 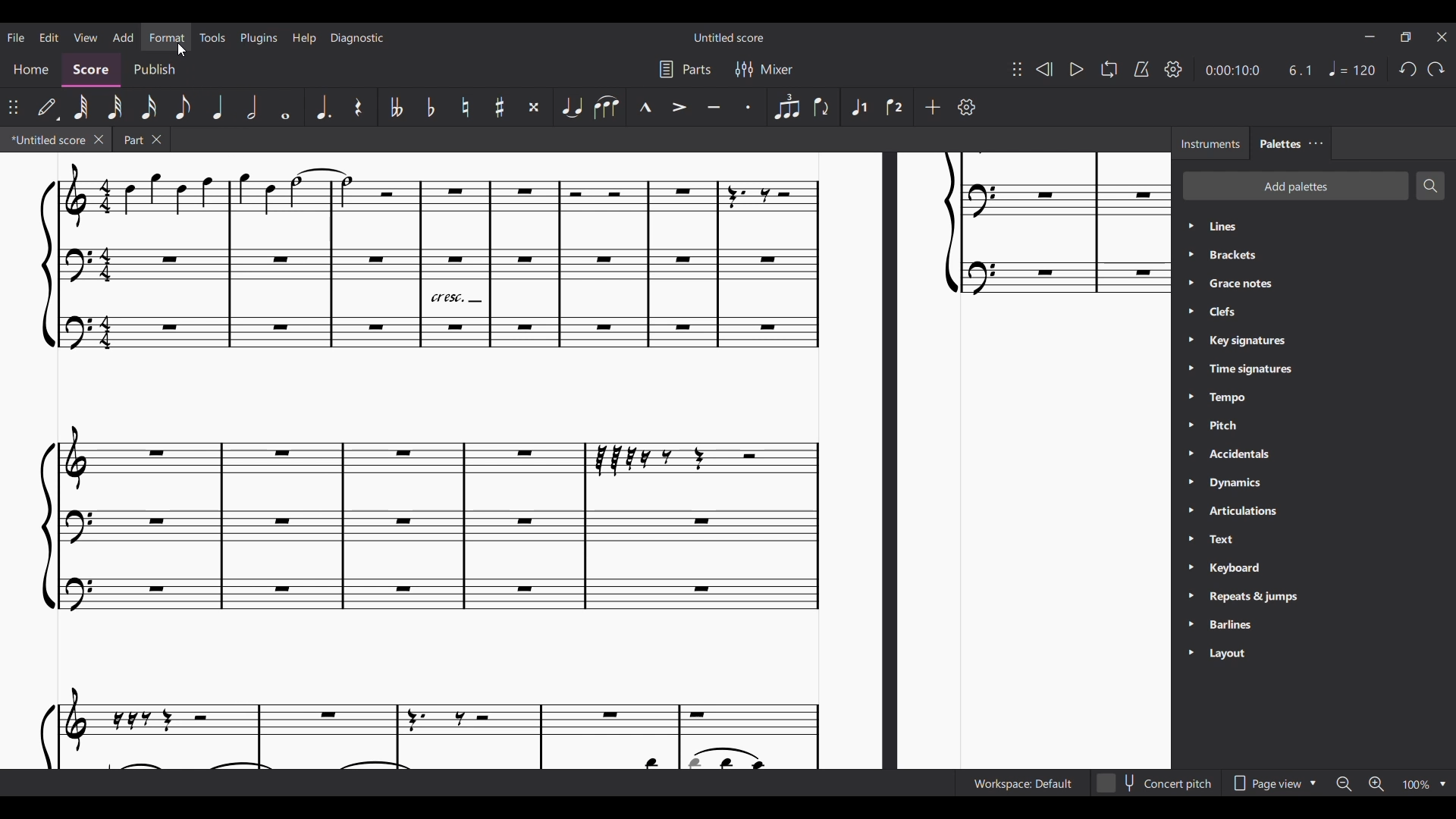 What do you see at coordinates (356, 37) in the screenshot?
I see `Diagnostic menu` at bounding box center [356, 37].